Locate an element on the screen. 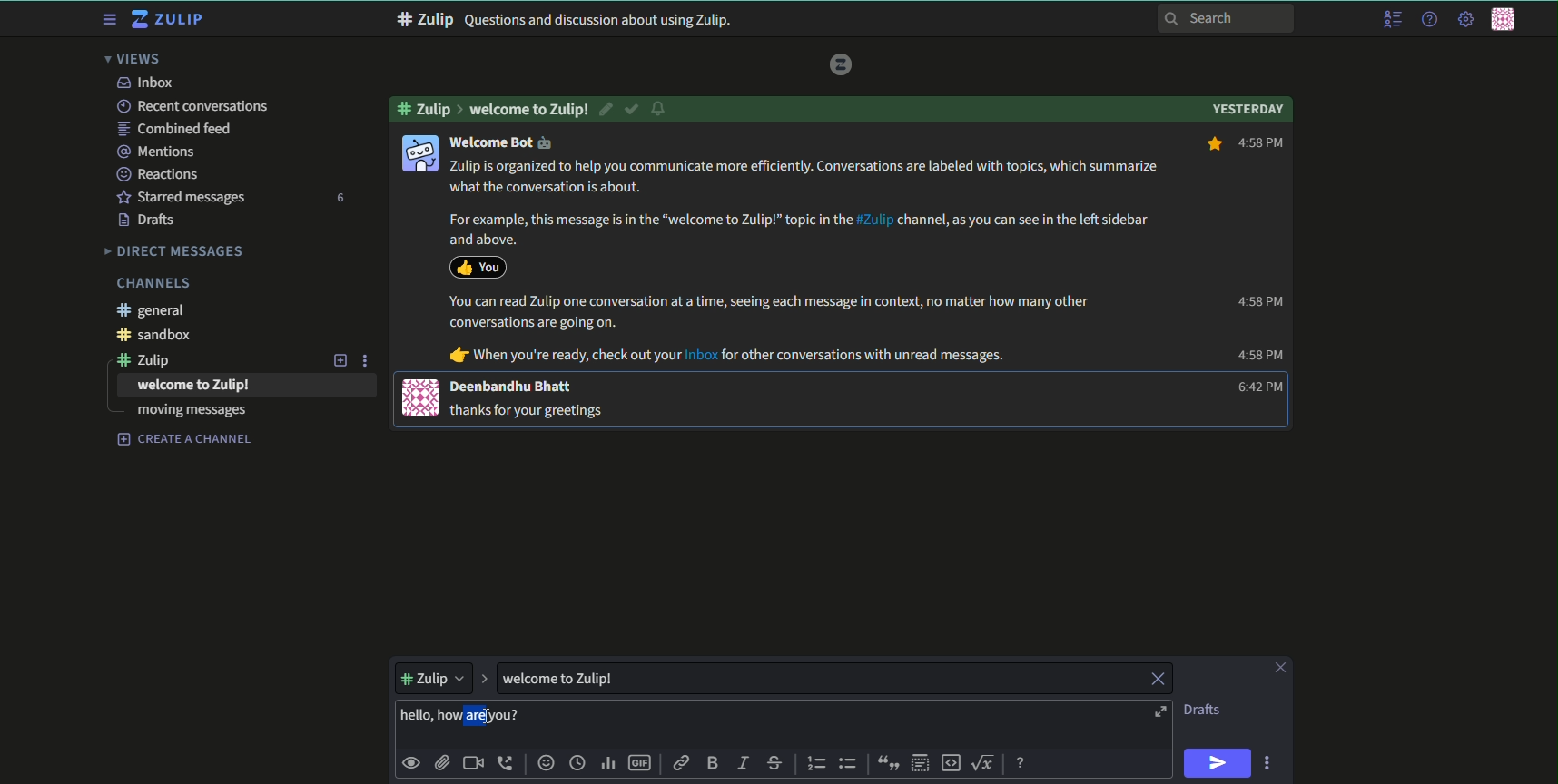 Image resolution: width=1558 pixels, height=784 pixels. bold is located at coordinates (712, 764).